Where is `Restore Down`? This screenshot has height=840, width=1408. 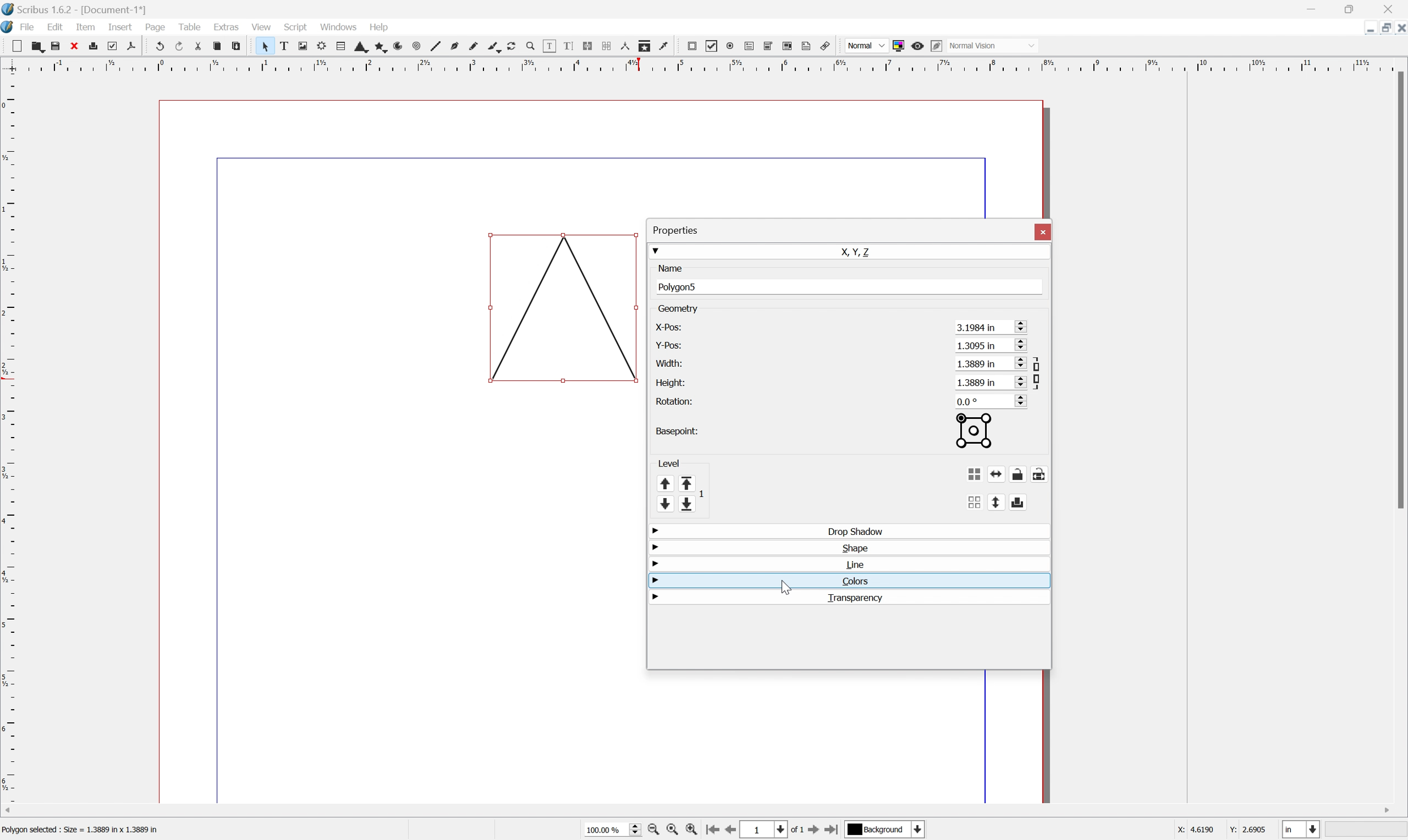
Restore Down is located at coordinates (1354, 8).